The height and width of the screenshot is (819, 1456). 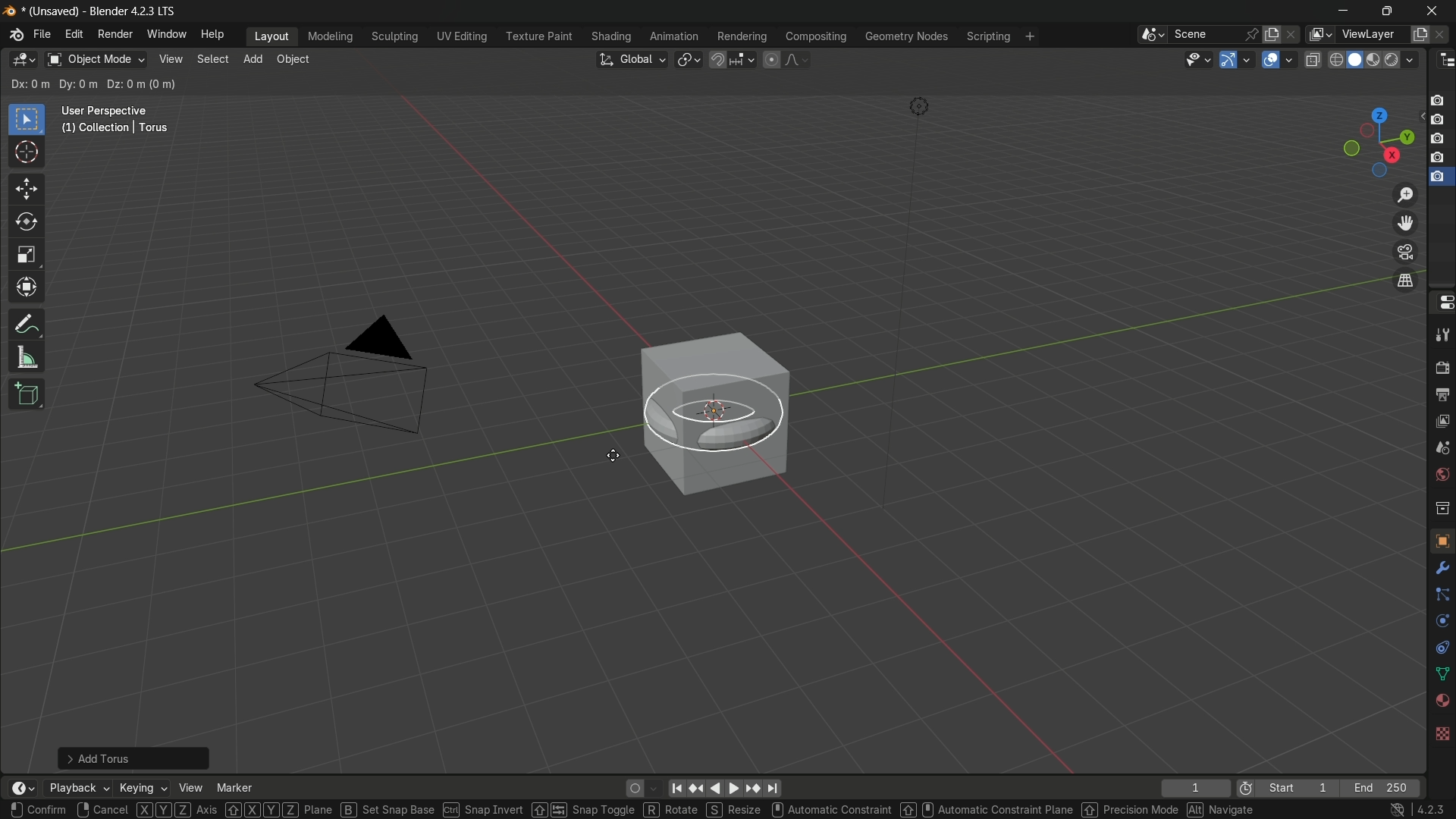 I want to click on add cube, so click(x=28, y=394).